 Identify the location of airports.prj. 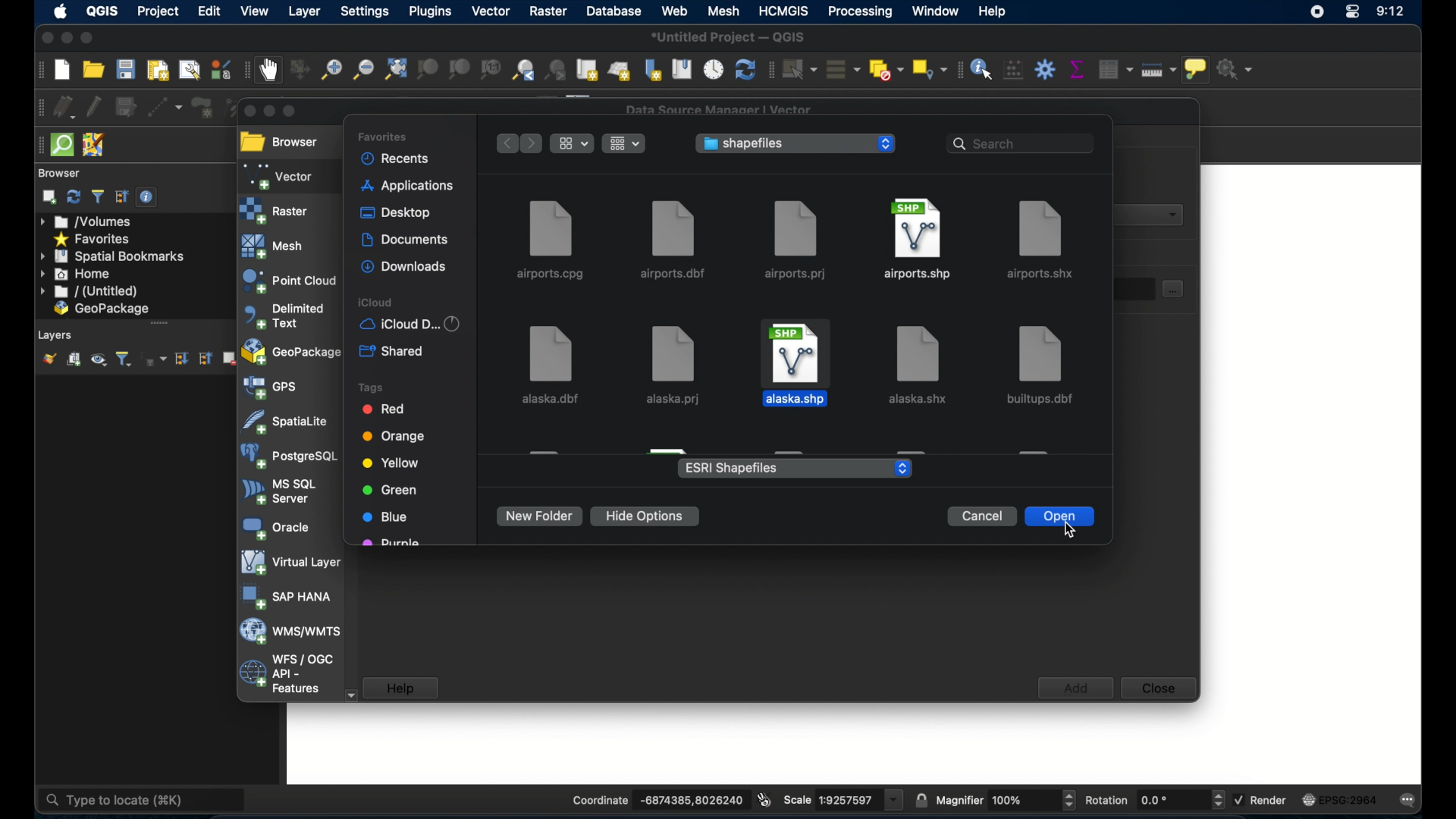
(796, 240).